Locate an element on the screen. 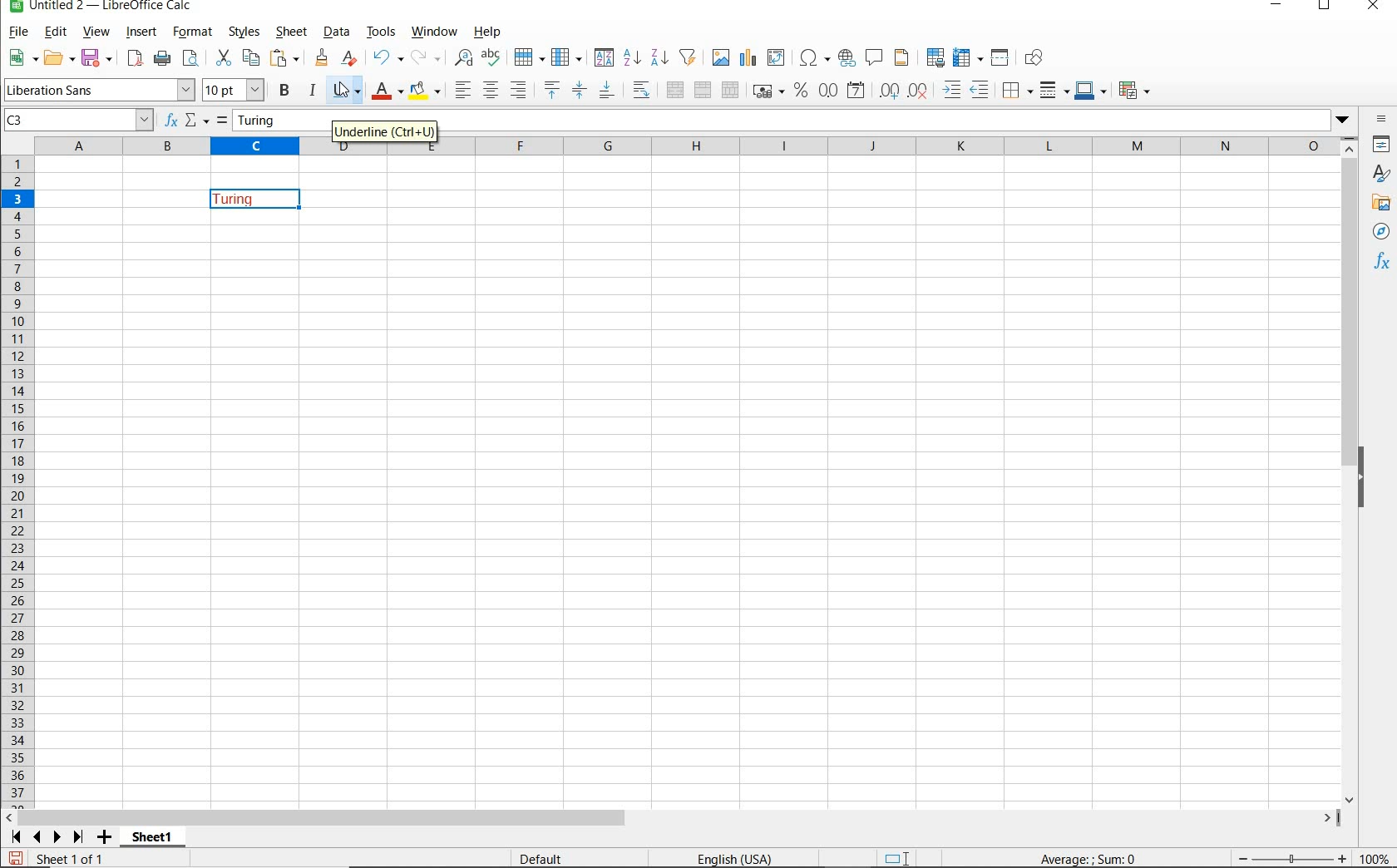  STYLES is located at coordinates (243, 33).